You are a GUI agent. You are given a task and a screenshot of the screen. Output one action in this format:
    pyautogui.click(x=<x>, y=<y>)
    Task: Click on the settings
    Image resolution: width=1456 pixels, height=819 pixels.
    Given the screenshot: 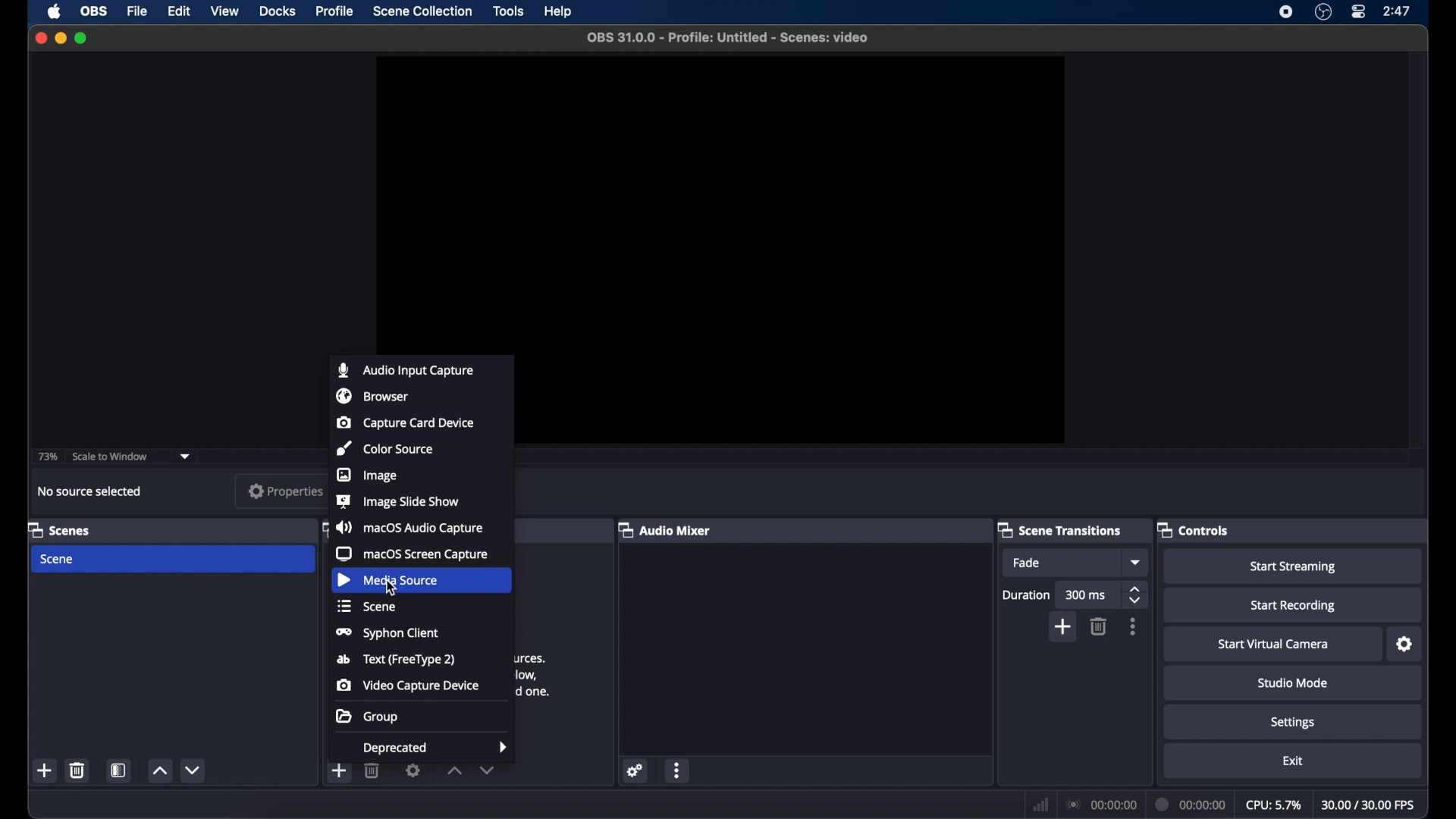 What is the action you would take?
    pyautogui.click(x=1293, y=723)
    